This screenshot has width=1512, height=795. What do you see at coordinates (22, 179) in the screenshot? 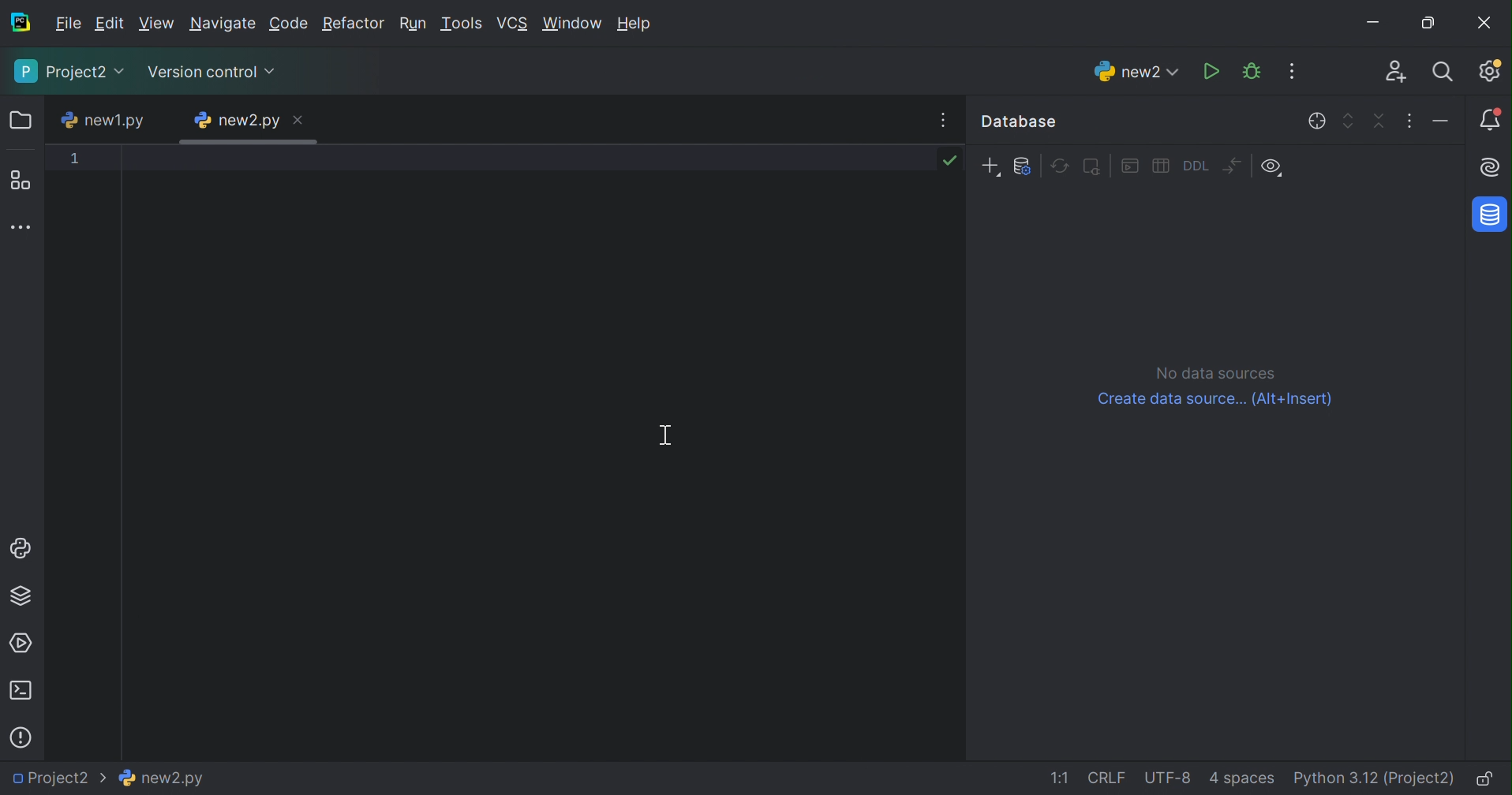
I see `` at bounding box center [22, 179].